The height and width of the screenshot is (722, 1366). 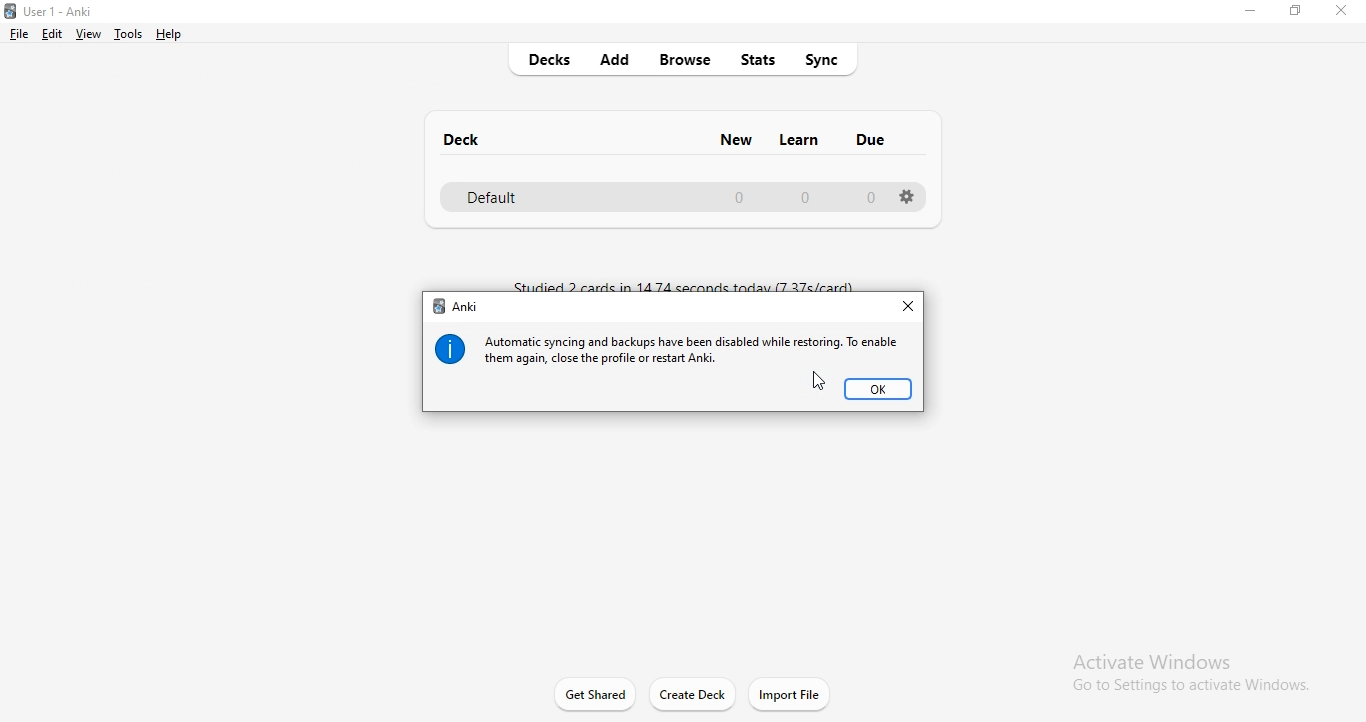 What do you see at coordinates (692, 348) in the screenshot?
I see `message 1` at bounding box center [692, 348].